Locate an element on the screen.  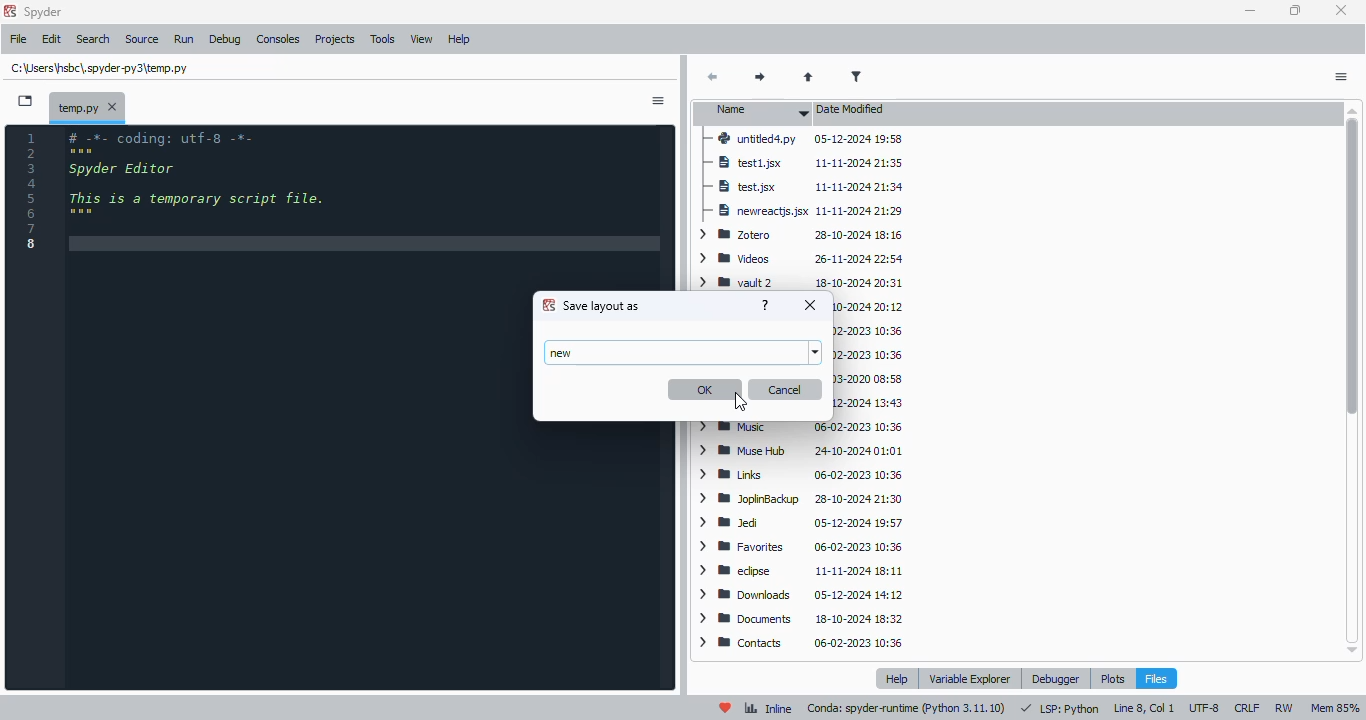
logo is located at coordinates (9, 11).